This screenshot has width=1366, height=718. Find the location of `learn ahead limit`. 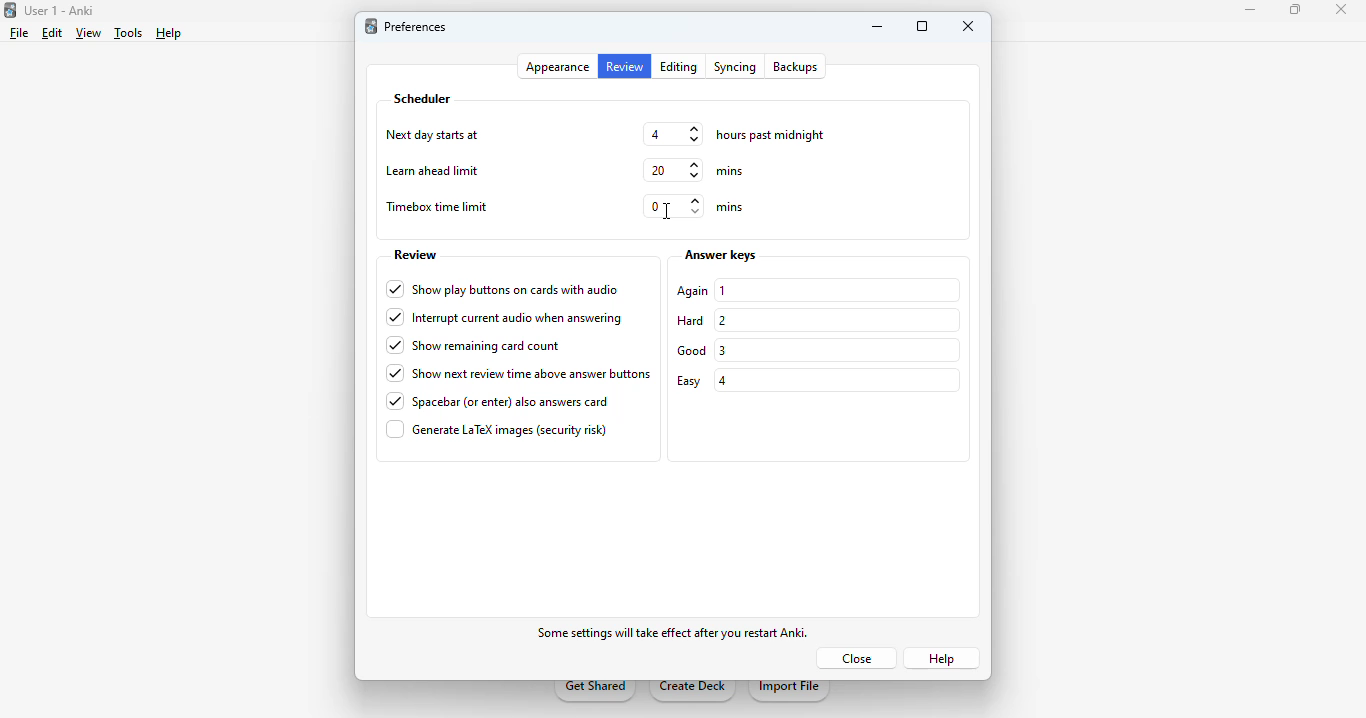

learn ahead limit is located at coordinates (432, 171).